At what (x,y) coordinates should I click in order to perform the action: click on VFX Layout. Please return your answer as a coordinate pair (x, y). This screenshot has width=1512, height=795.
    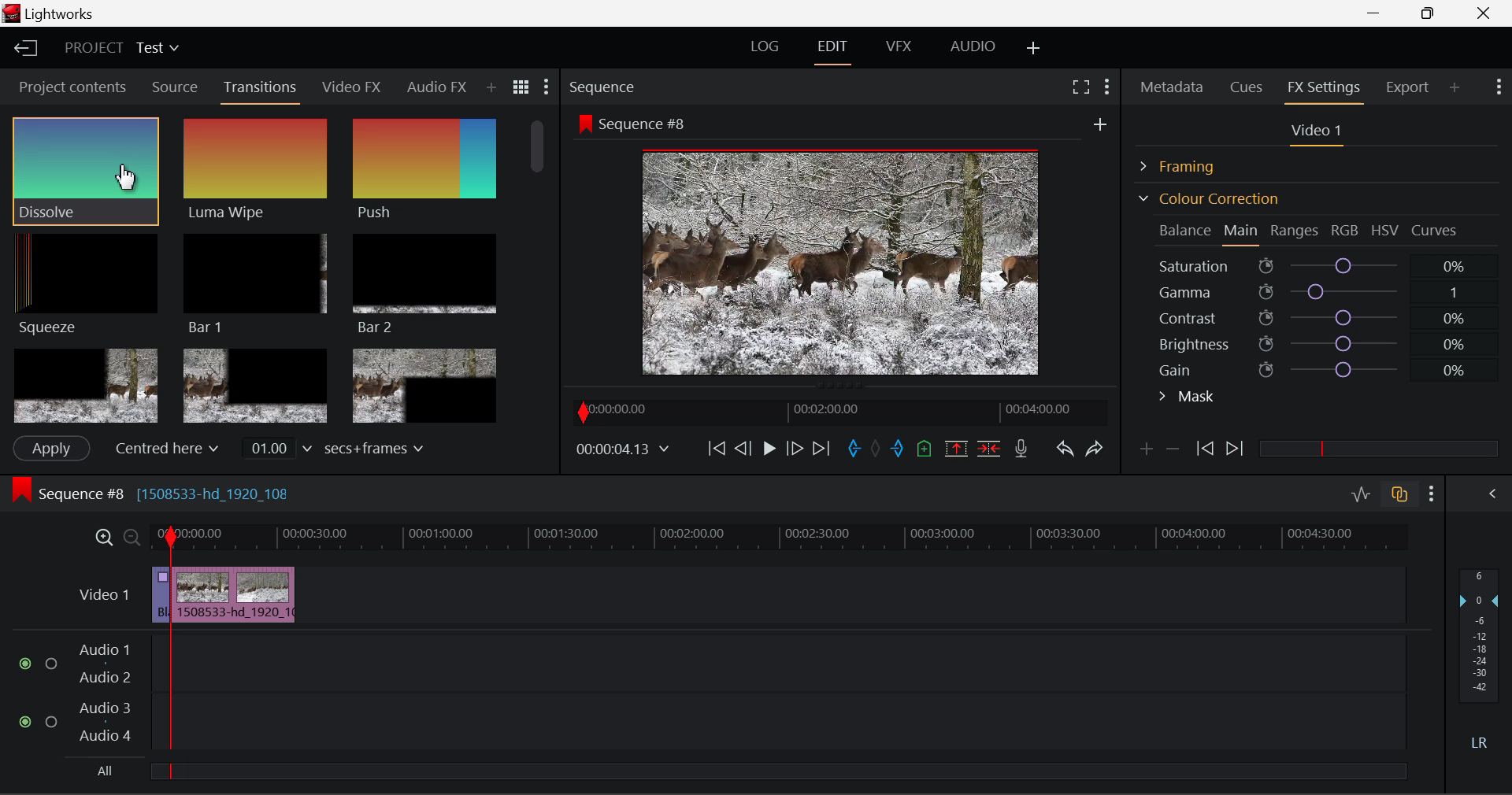
    Looking at the image, I should click on (902, 48).